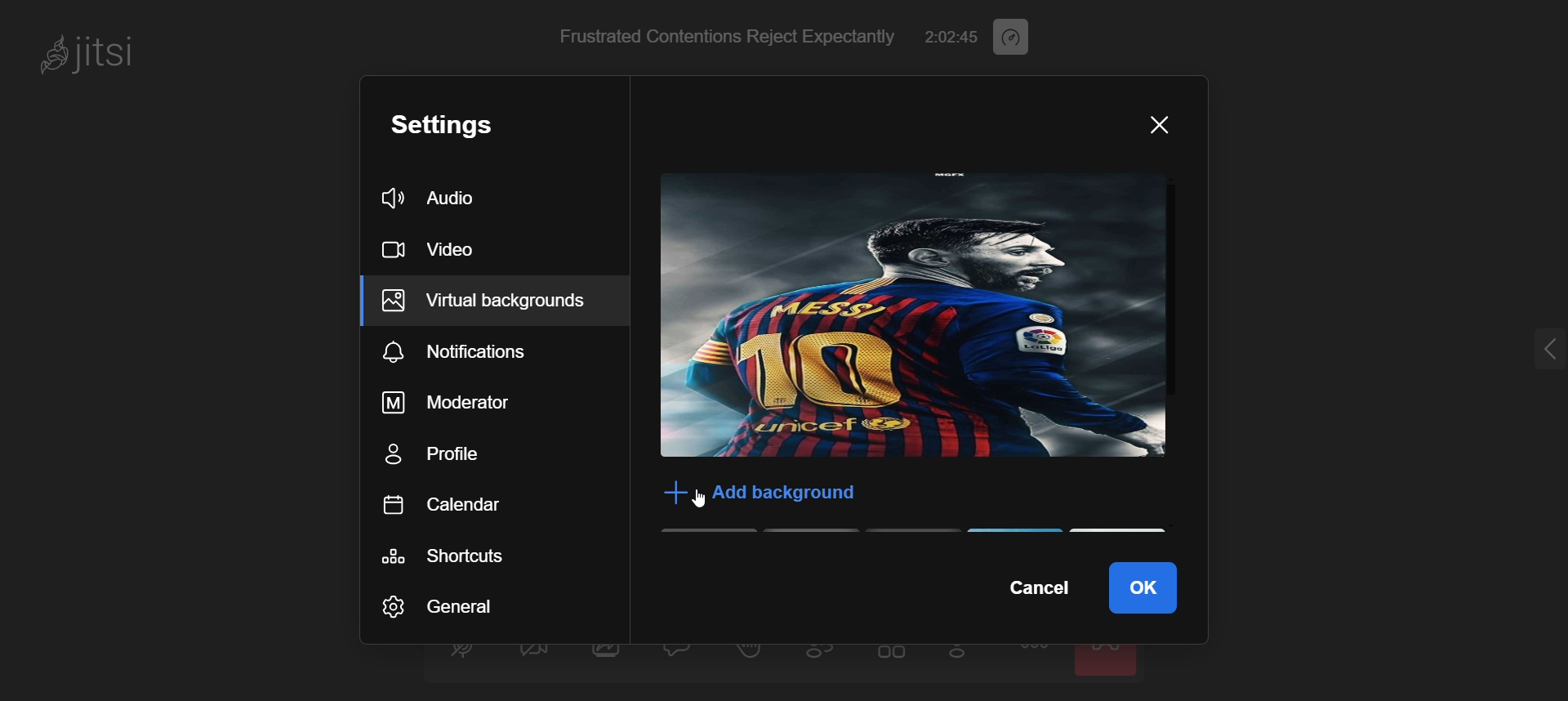  Describe the element at coordinates (1108, 659) in the screenshot. I see `end call` at that location.